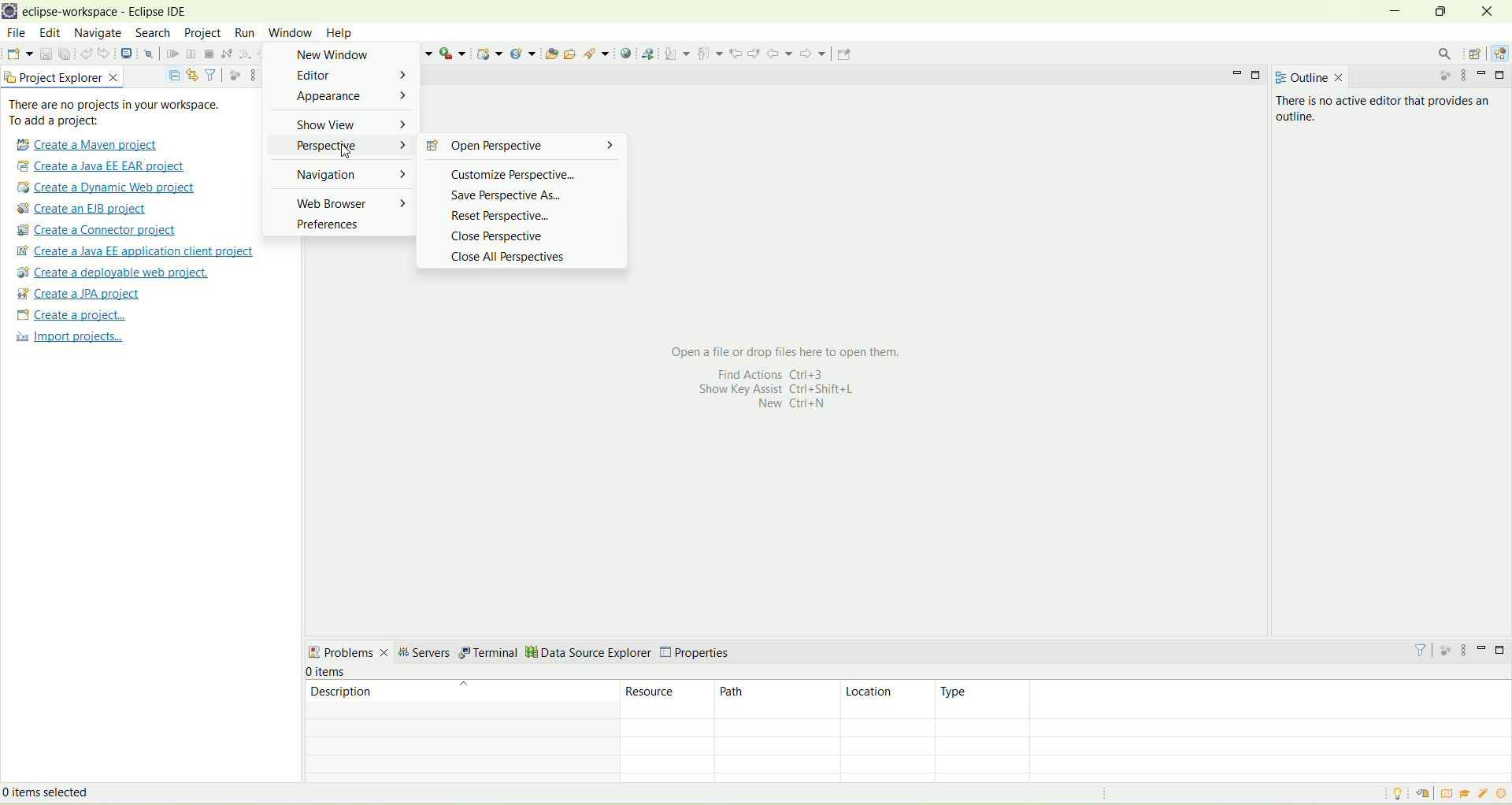  Describe the element at coordinates (1484, 76) in the screenshot. I see `minimize` at that location.